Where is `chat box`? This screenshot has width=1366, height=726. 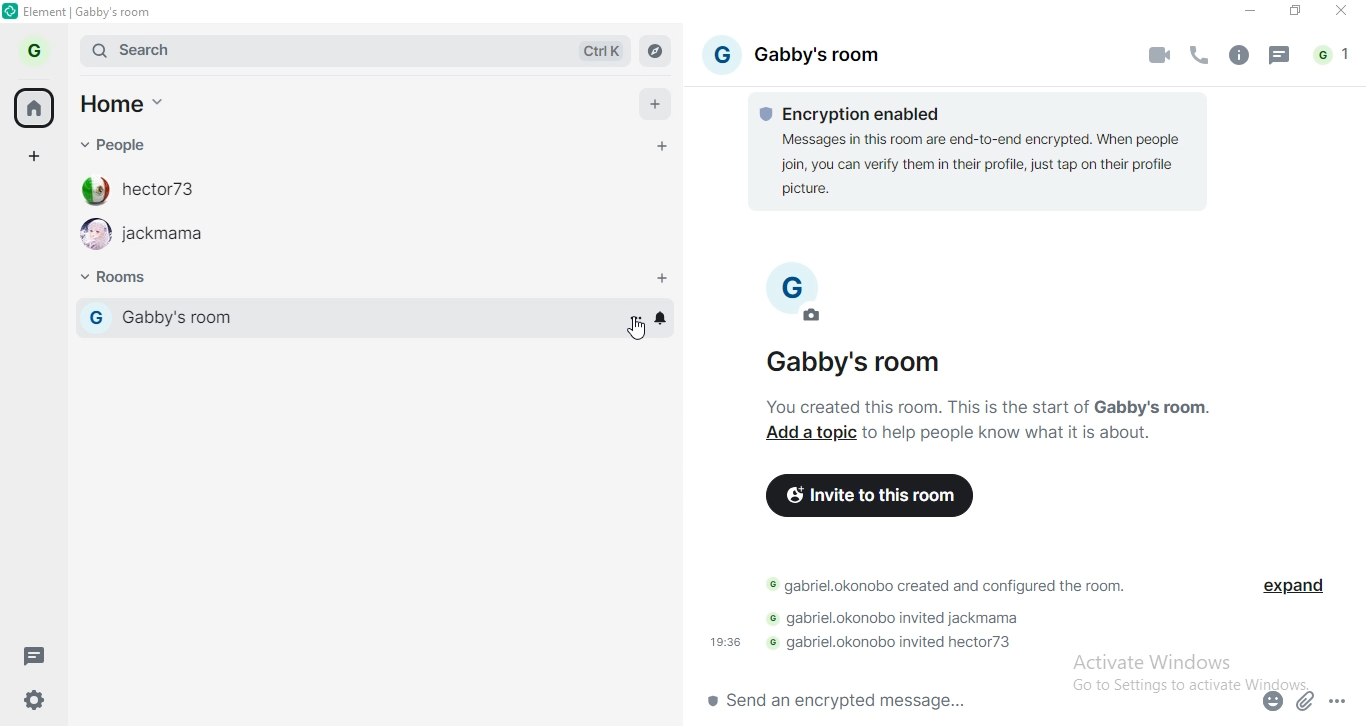 chat box is located at coordinates (964, 702).